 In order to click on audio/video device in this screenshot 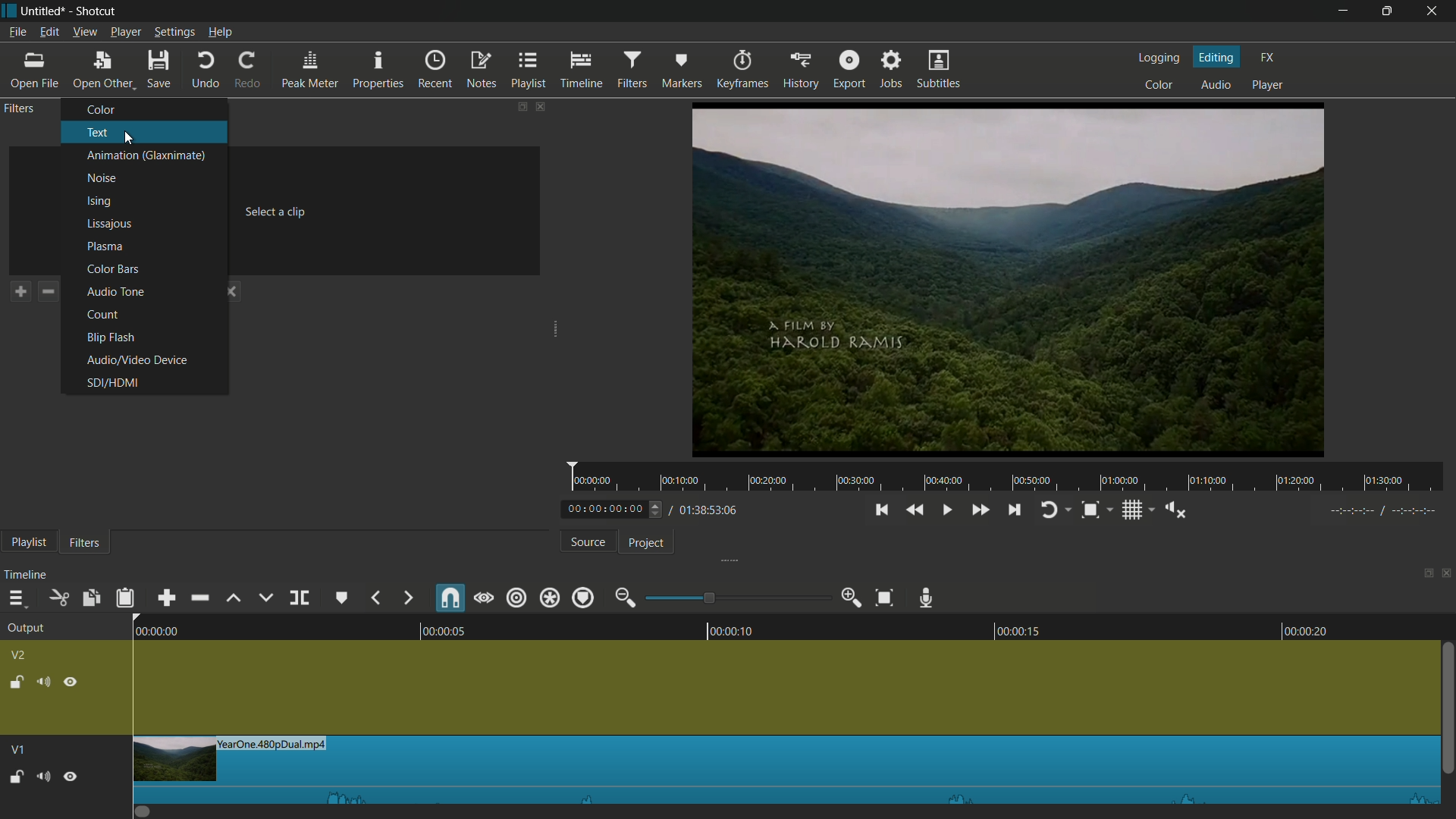, I will do `click(134, 359)`.